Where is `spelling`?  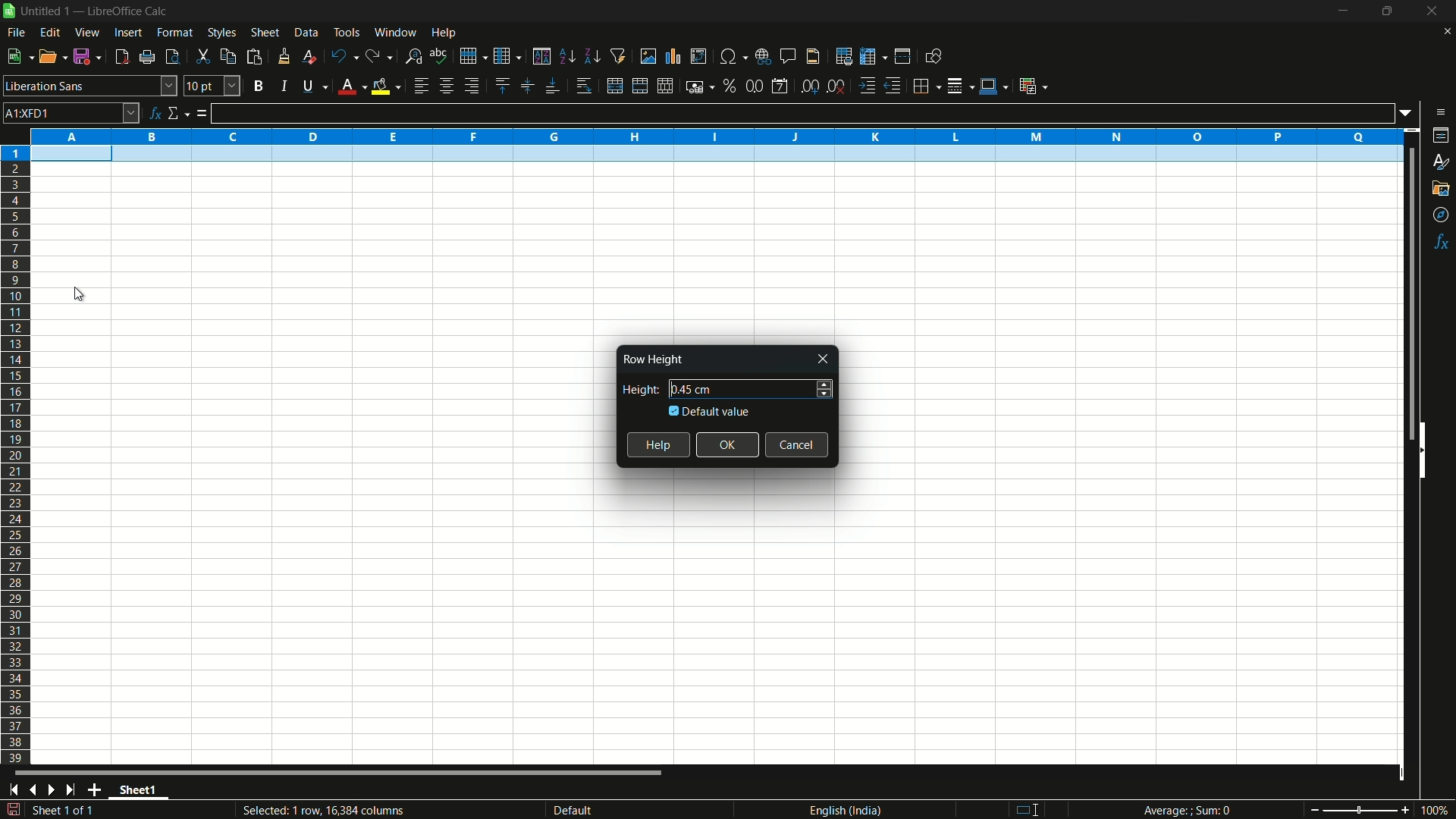 spelling is located at coordinates (439, 55).